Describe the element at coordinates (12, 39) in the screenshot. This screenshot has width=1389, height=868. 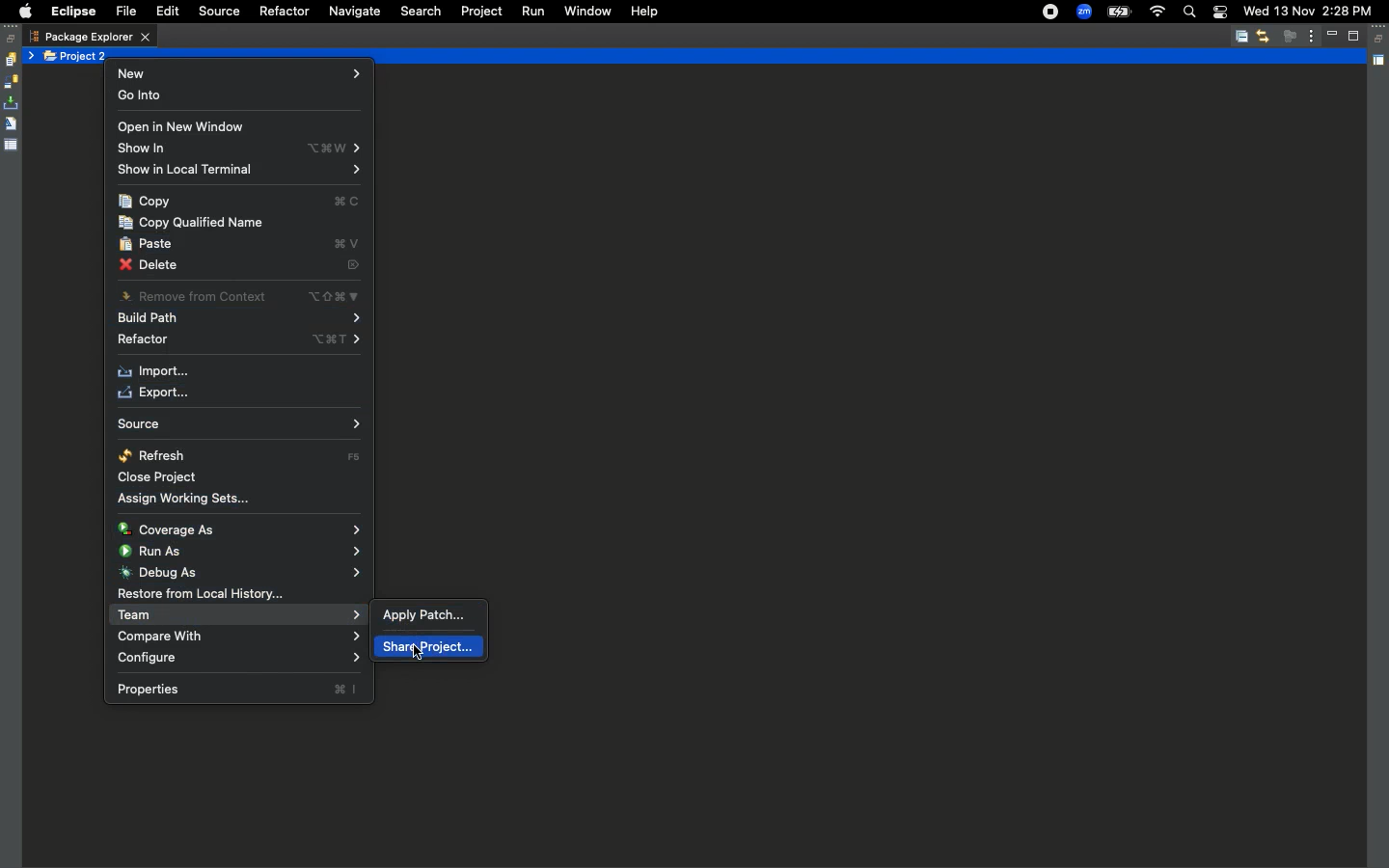
I see `Restore` at that location.